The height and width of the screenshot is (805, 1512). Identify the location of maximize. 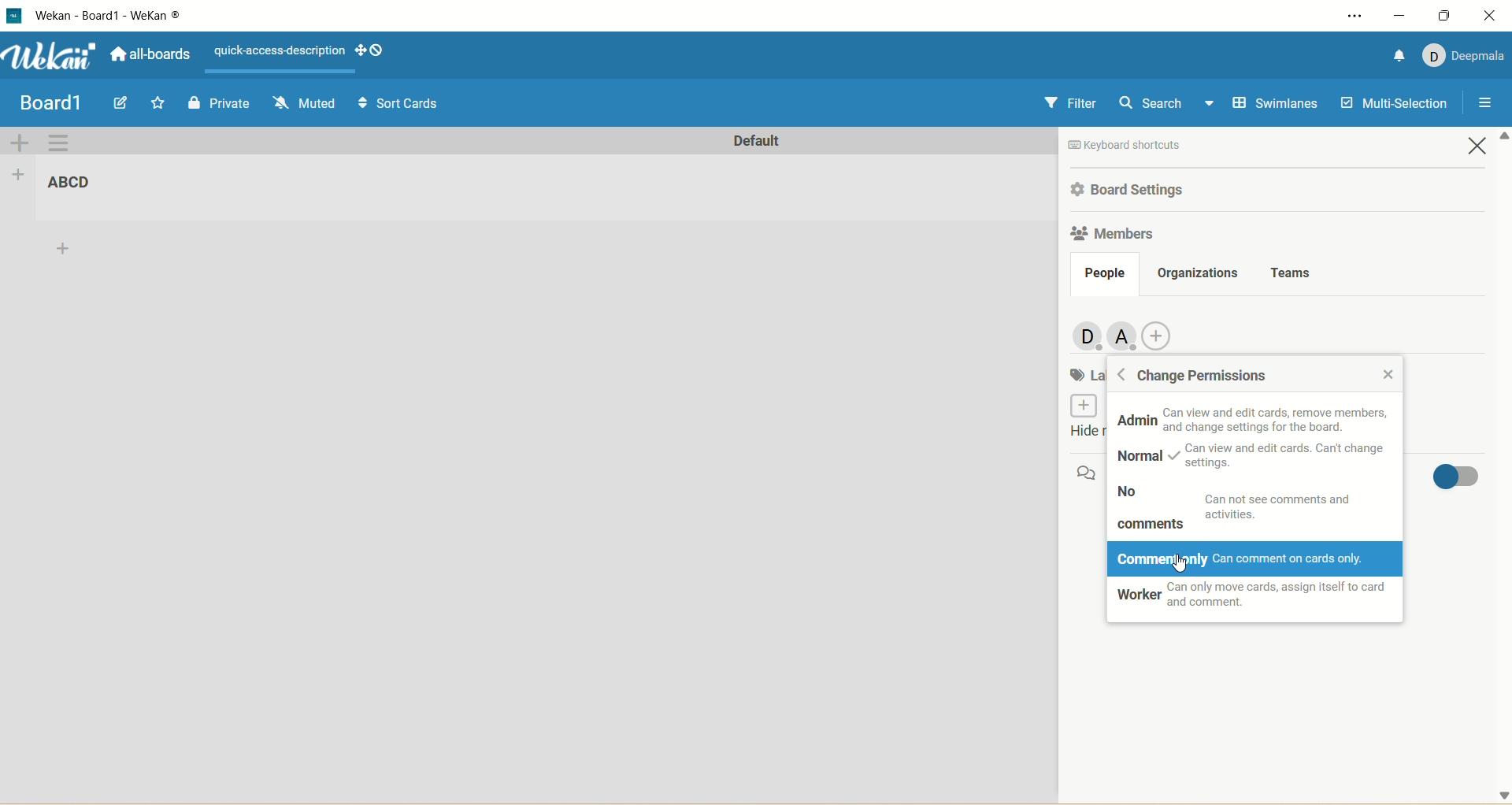
(1443, 16).